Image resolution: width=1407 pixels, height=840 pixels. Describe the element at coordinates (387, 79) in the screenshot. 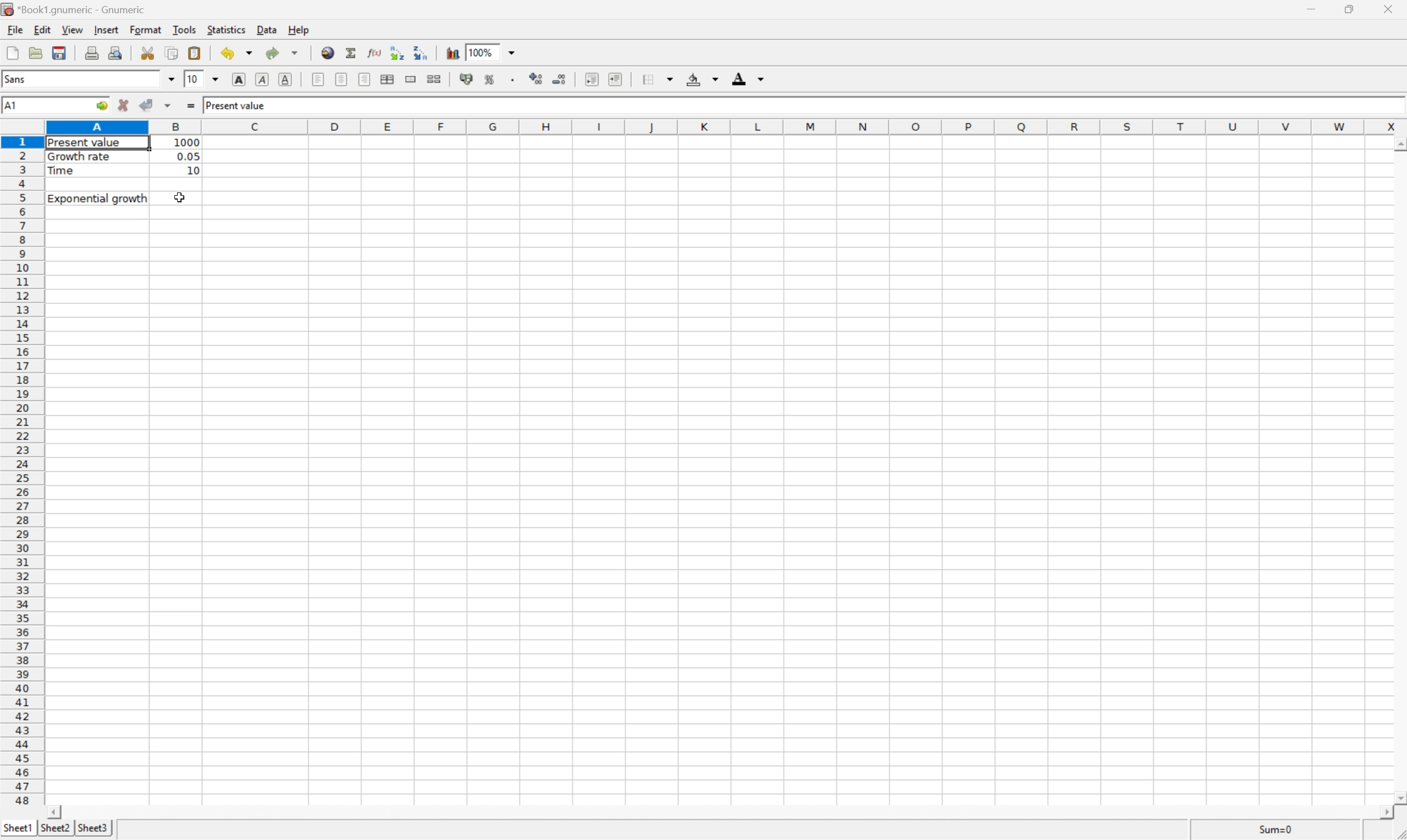

I see `Center horizontally across selection` at that location.